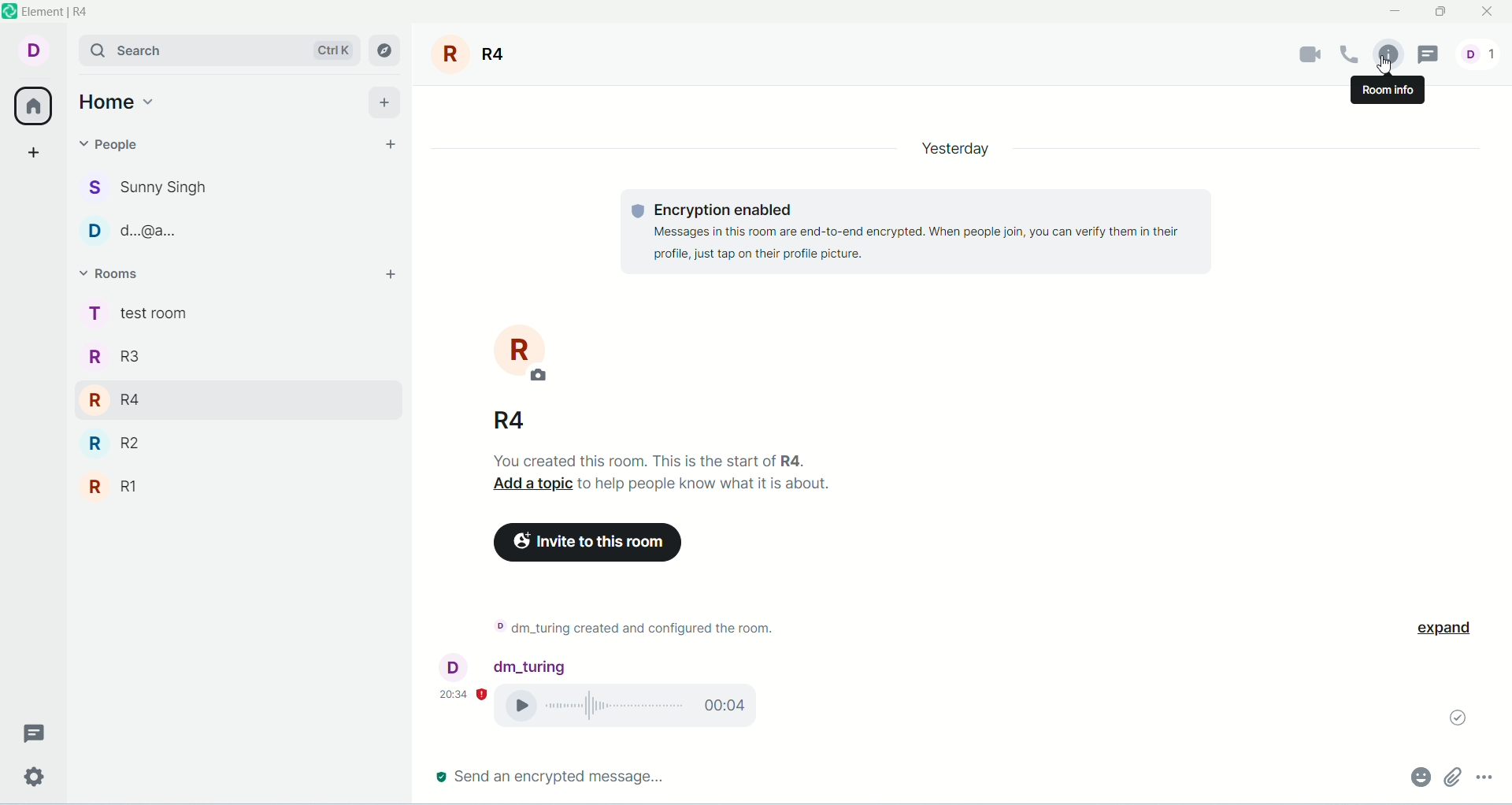 Image resolution: width=1512 pixels, height=805 pixels. What do you see at coordinates (1398, 13) in the screenshot?
I see `minimize` at bounding box center [1398, 13].